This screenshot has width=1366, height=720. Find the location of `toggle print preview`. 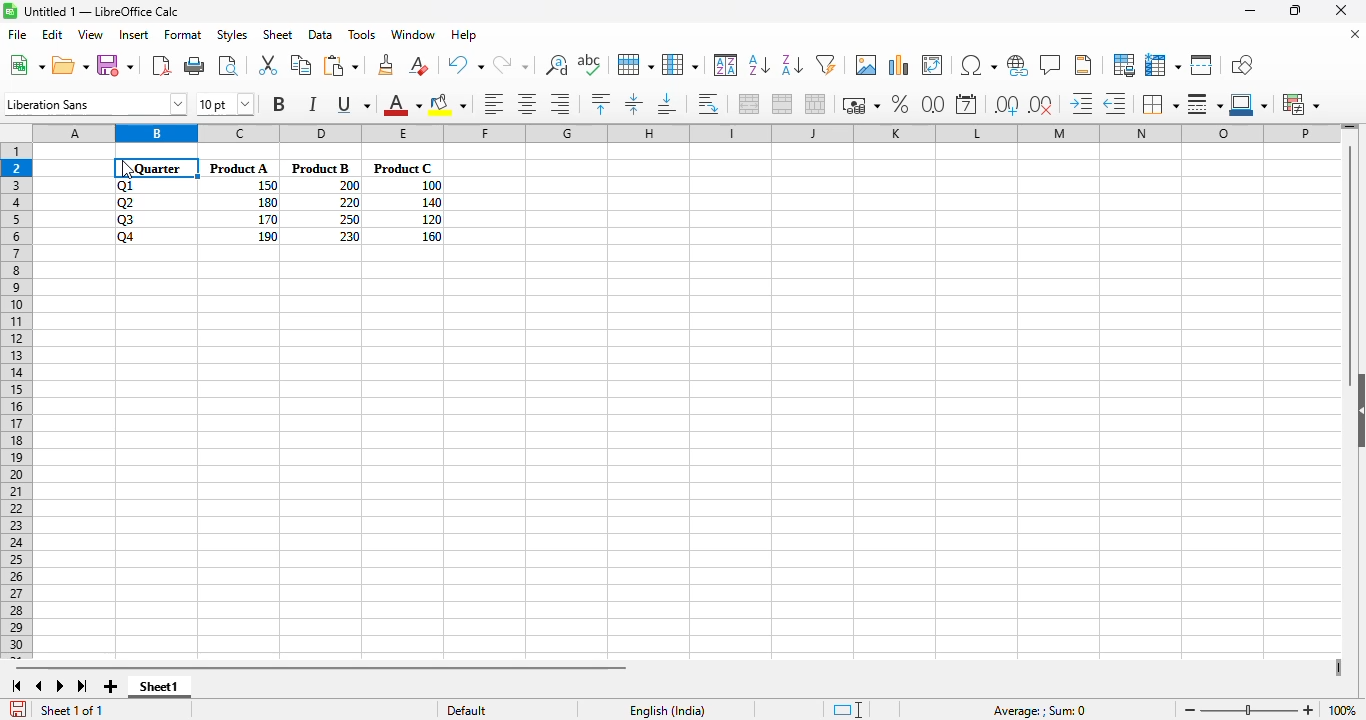

toggle print preview is located at coordinates (228, 66).